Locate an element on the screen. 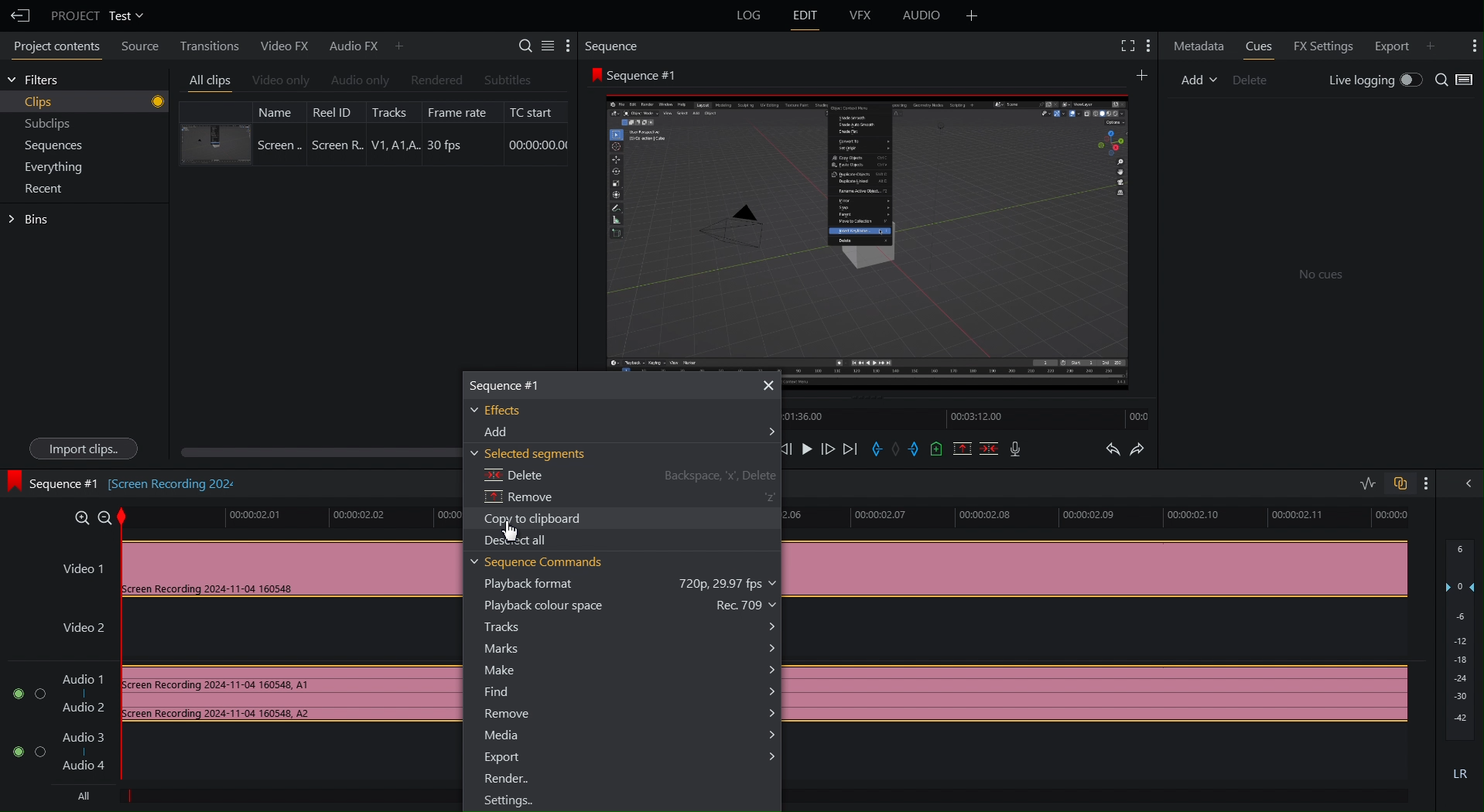 Image resolution: width=1484 pixels, height=812 pixels. Playback colour space is located at coordinates (634, 606).